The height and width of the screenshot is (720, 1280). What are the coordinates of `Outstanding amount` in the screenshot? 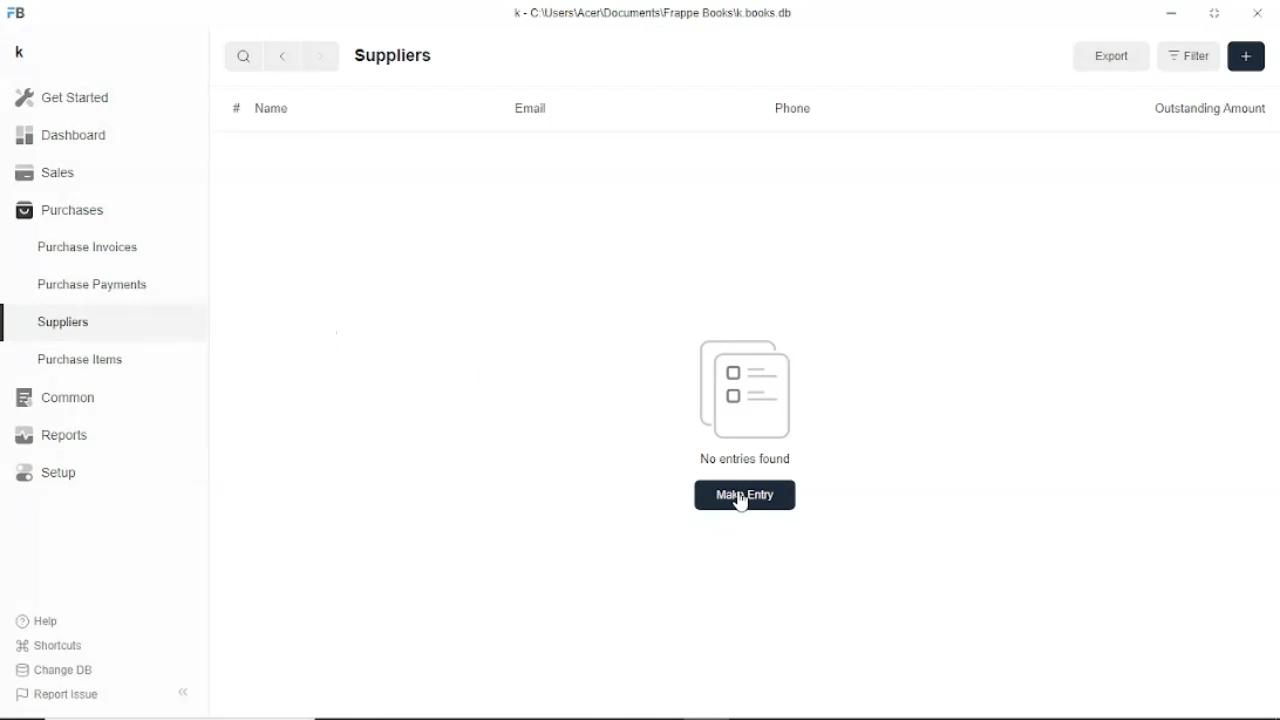 It's located at (1211, 109).